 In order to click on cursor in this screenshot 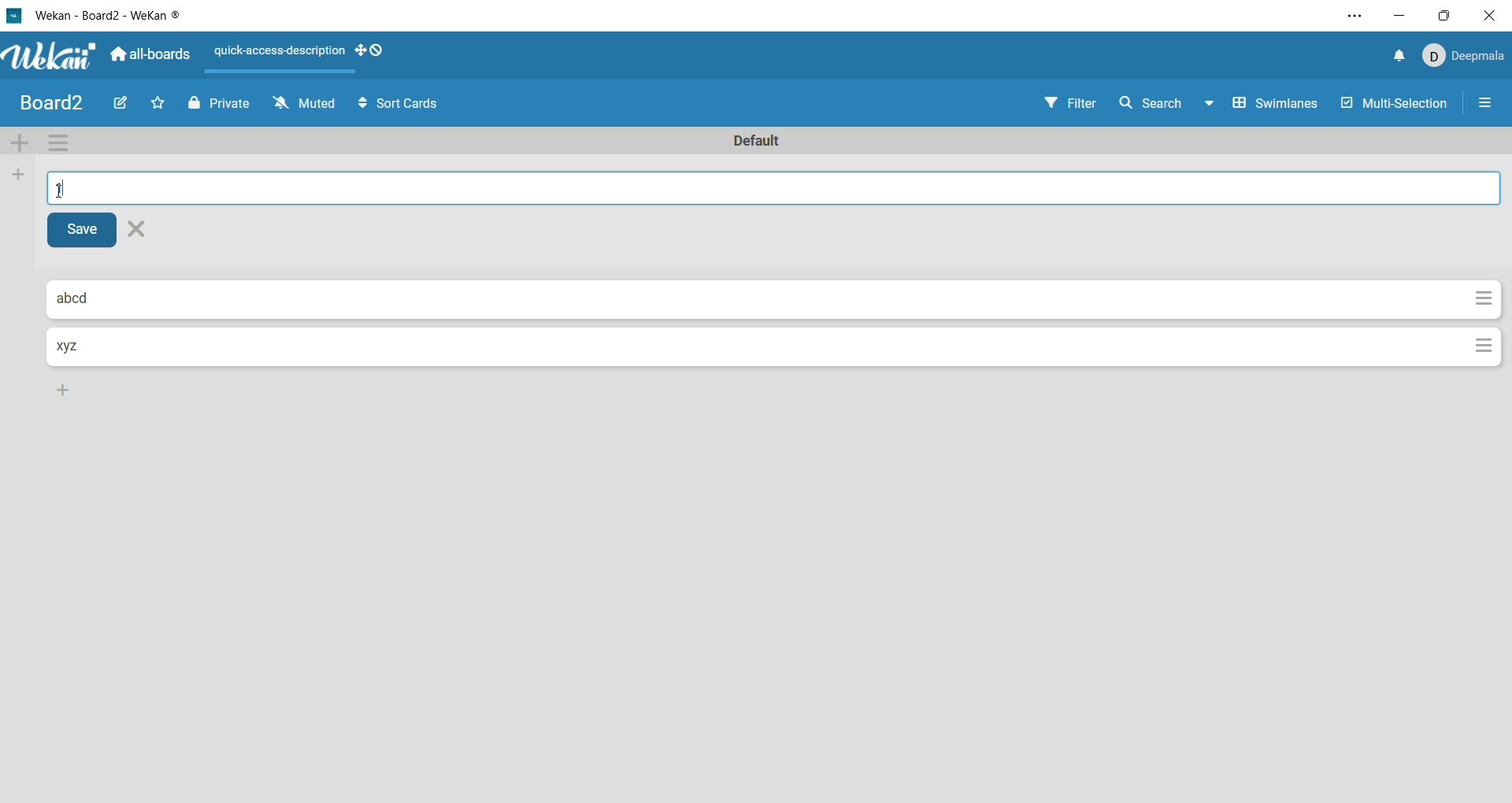, I will do `click(64, 188)`.